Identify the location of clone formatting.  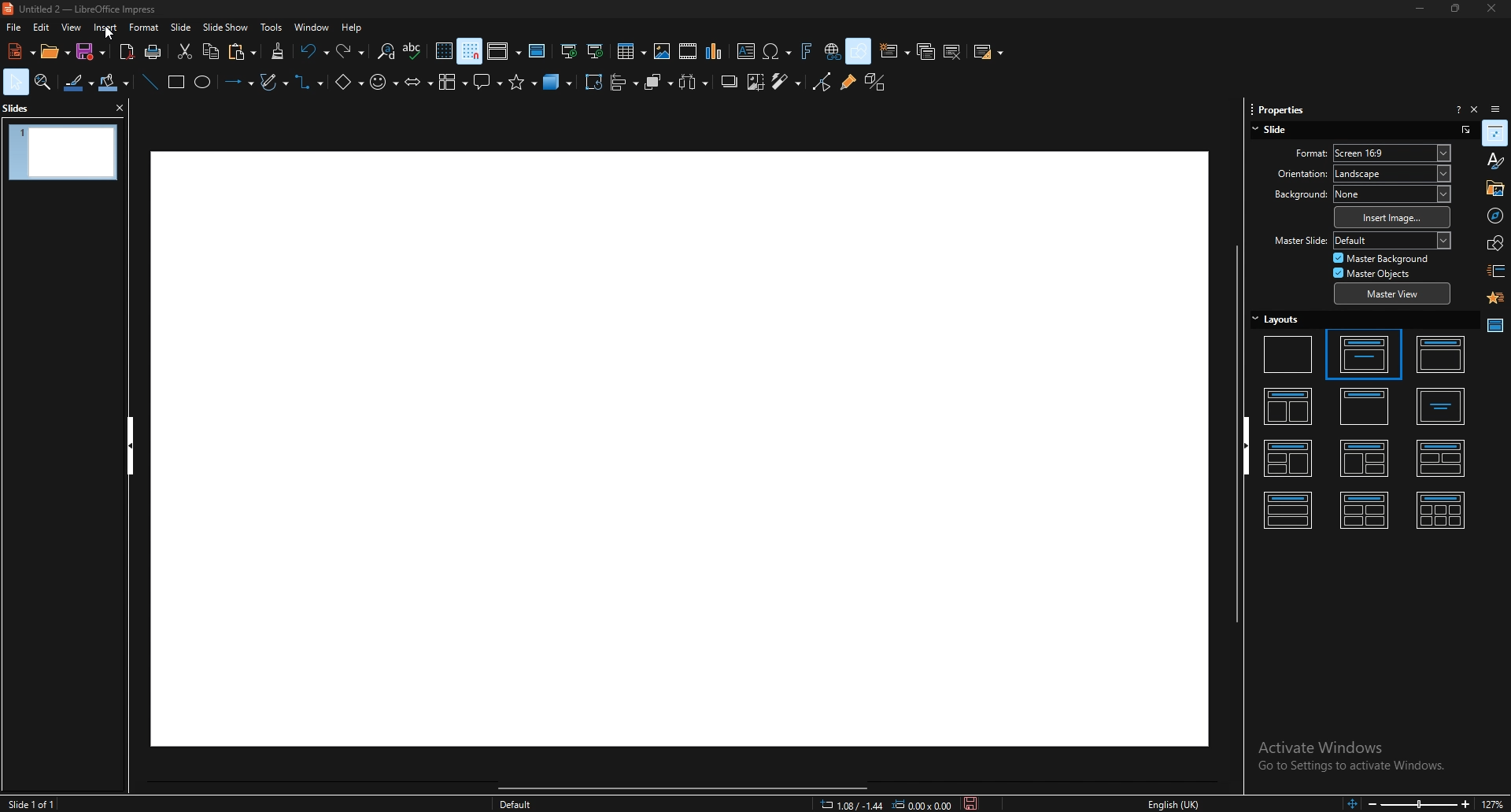
(278, 51).